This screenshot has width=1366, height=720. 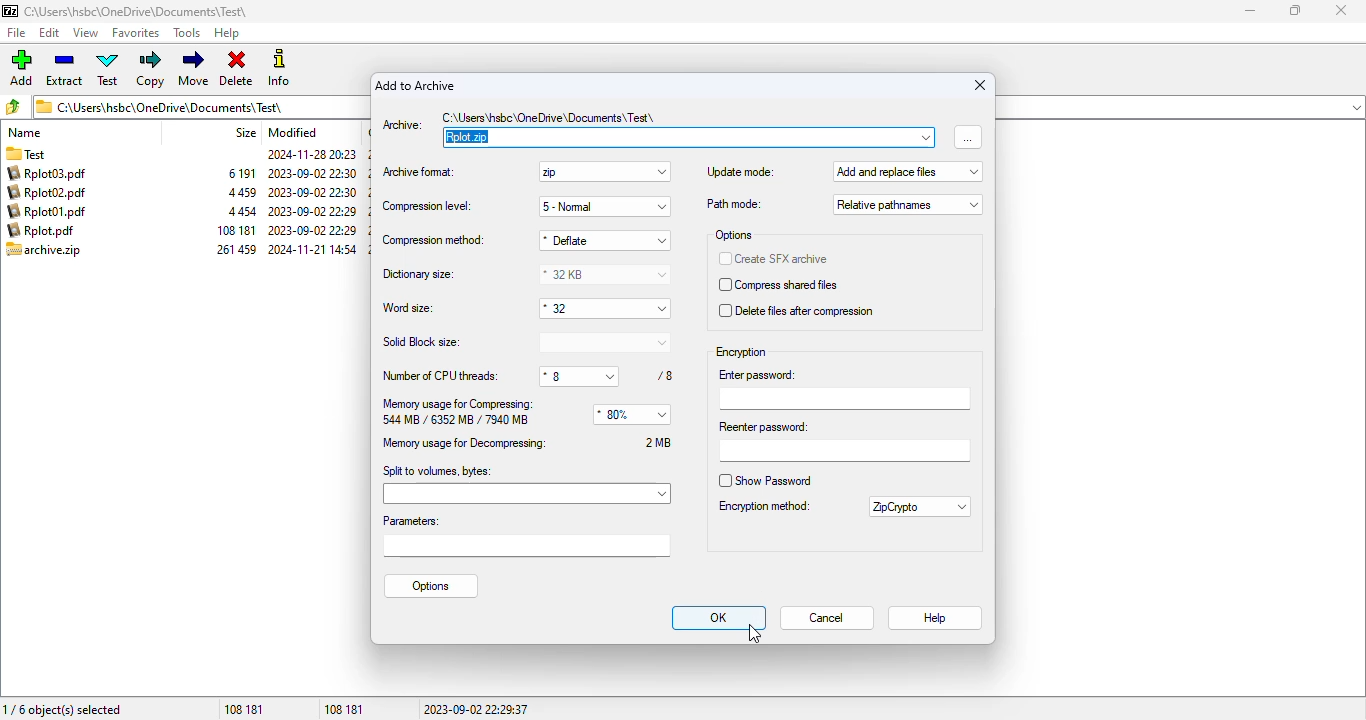 I want to click on folder, so click(x=40, y=152).